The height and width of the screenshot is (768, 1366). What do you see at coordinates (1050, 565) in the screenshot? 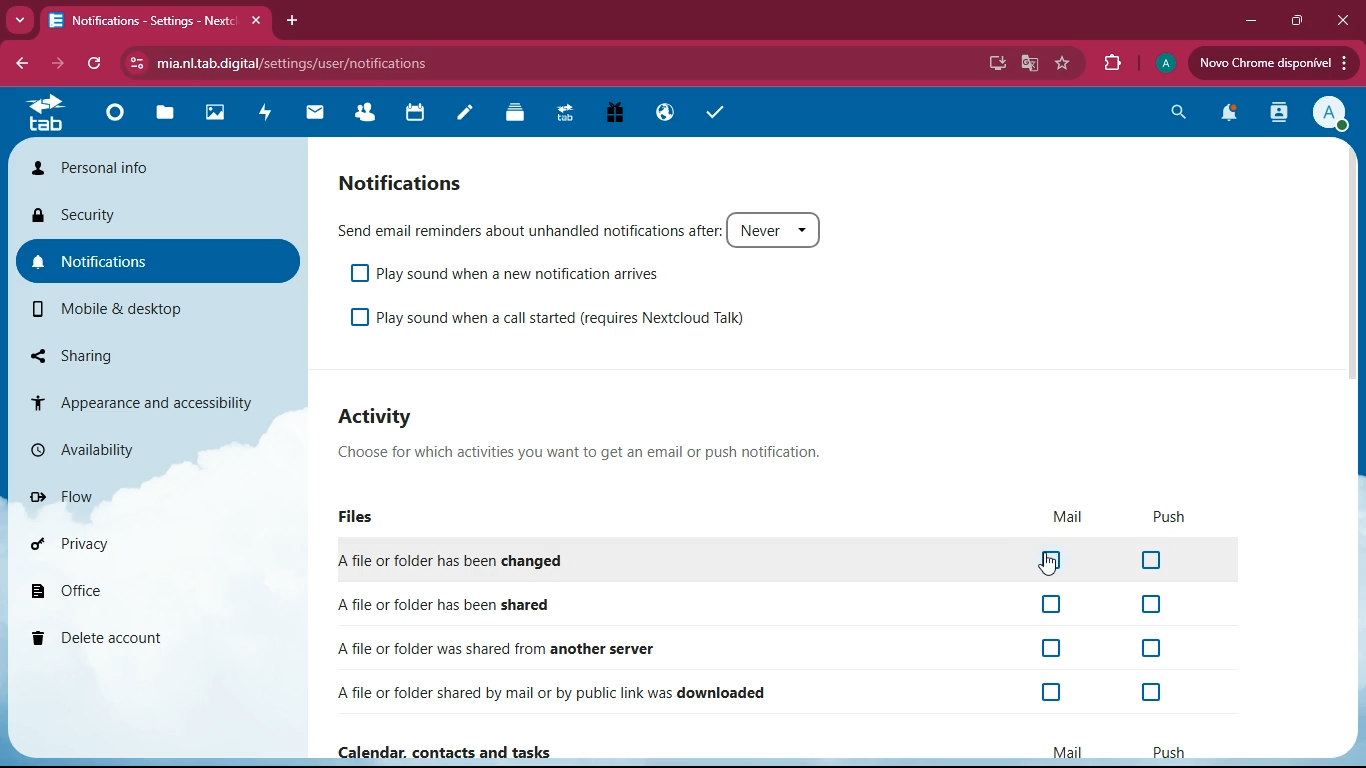
I see `cursor` at bounding box center [1050, 565].